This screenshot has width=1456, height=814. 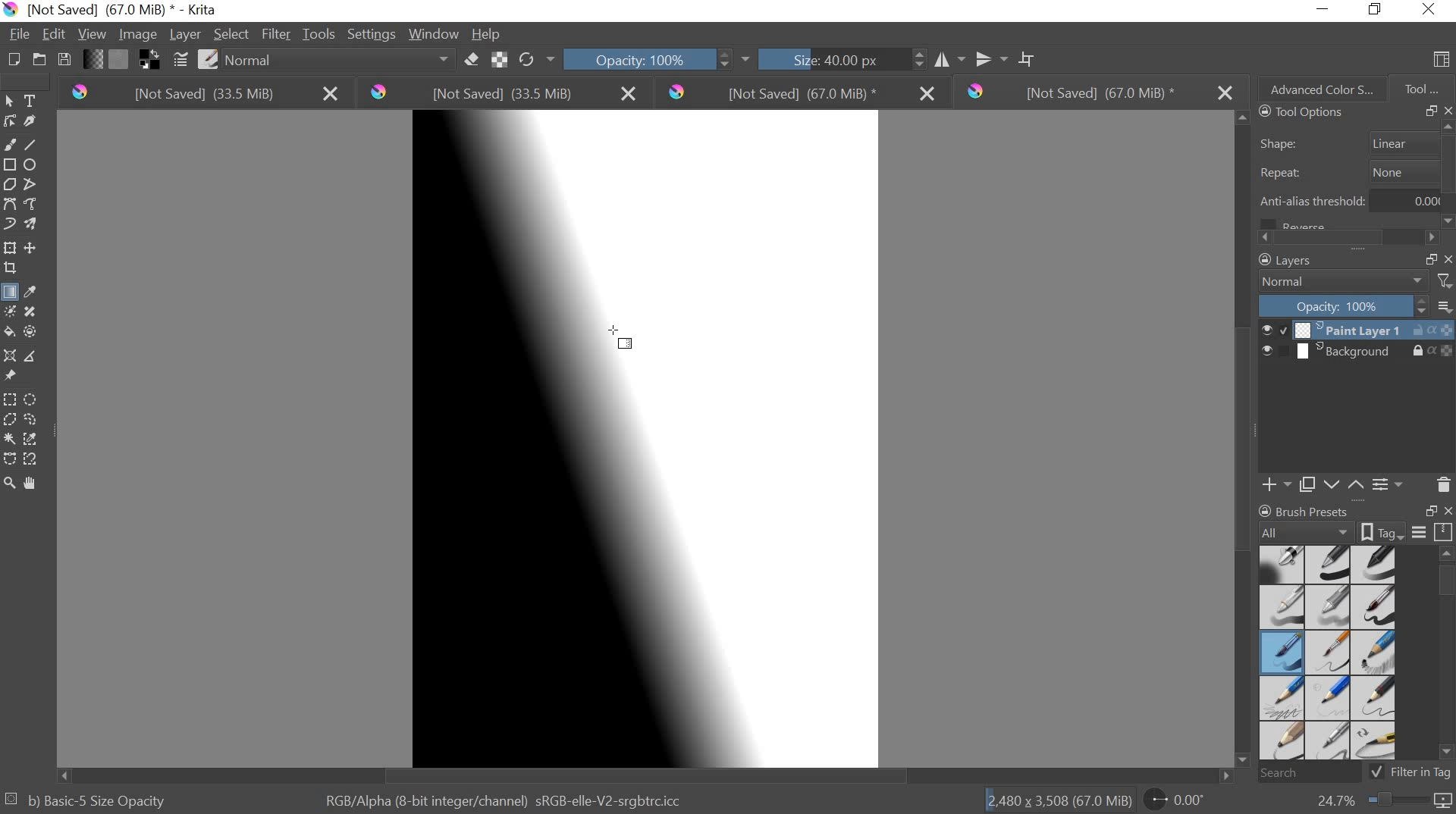 What do you see at coordinates (33, 459) in the screenshot?
I see `magnetic selection` at bounding box center [33, 459].